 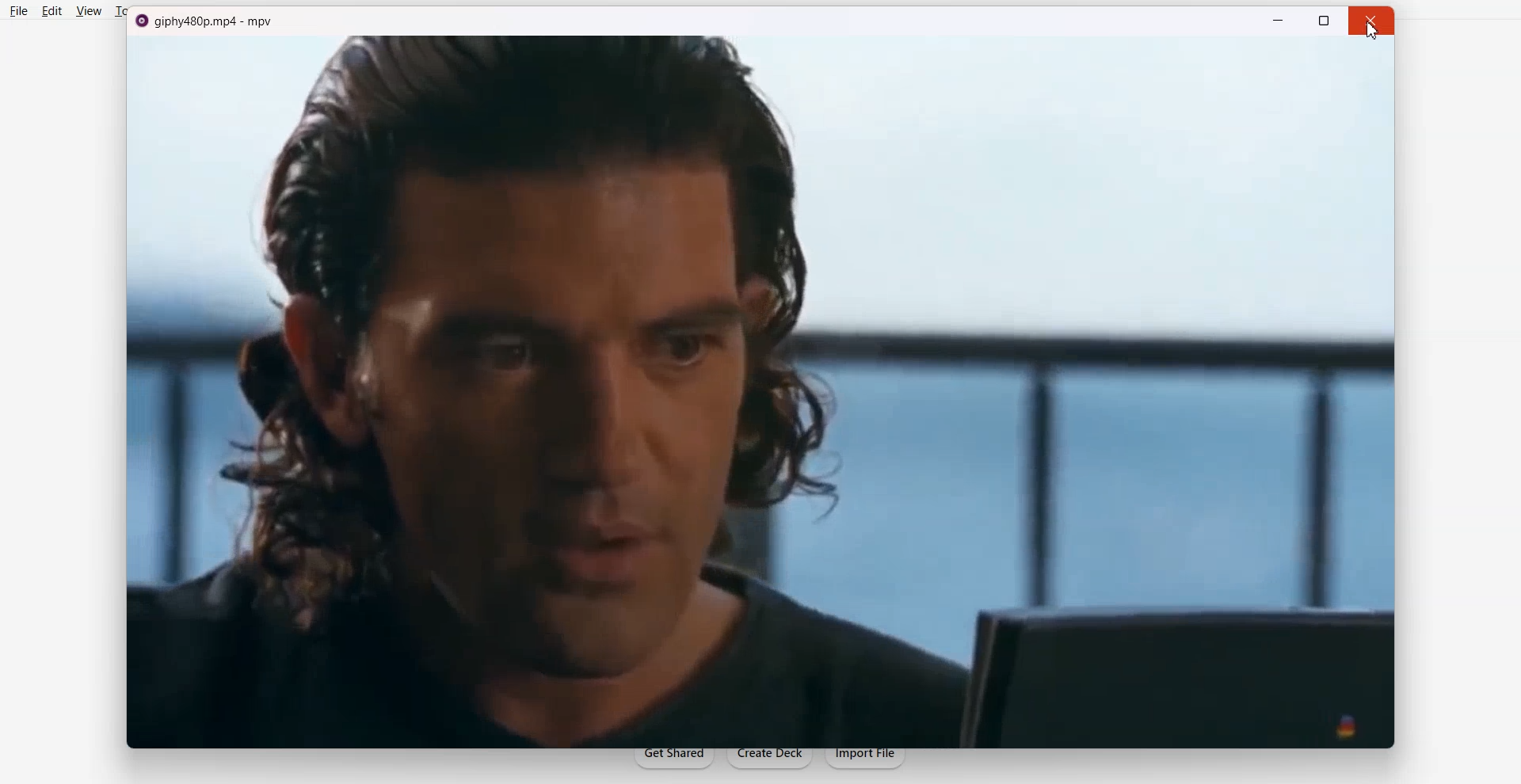 What do you see at coordinates (90, 11) in the screenshot?
I see `View` at bounding box center [90, 11].